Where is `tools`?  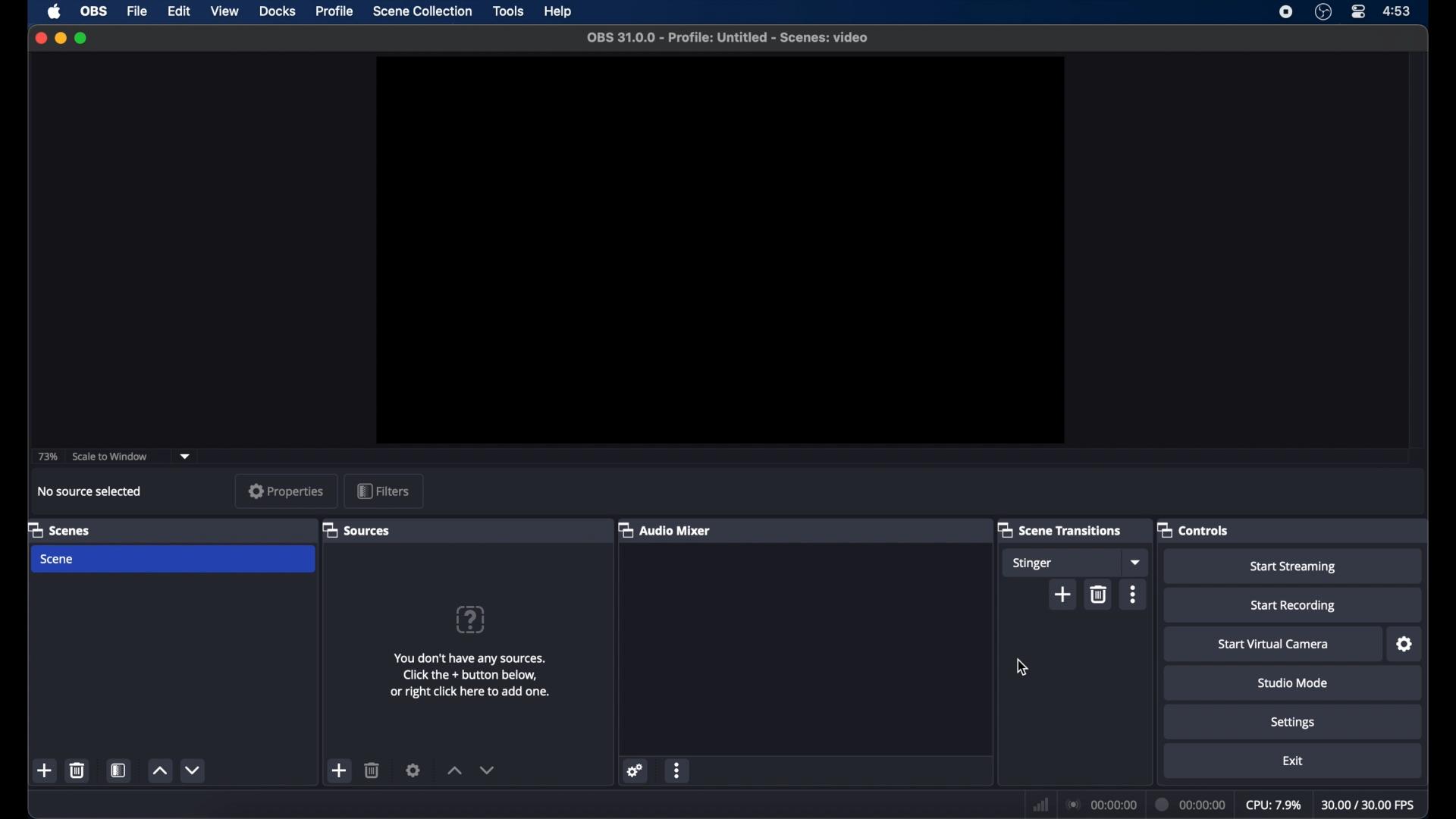 tools is located at coordinates (509, 12).